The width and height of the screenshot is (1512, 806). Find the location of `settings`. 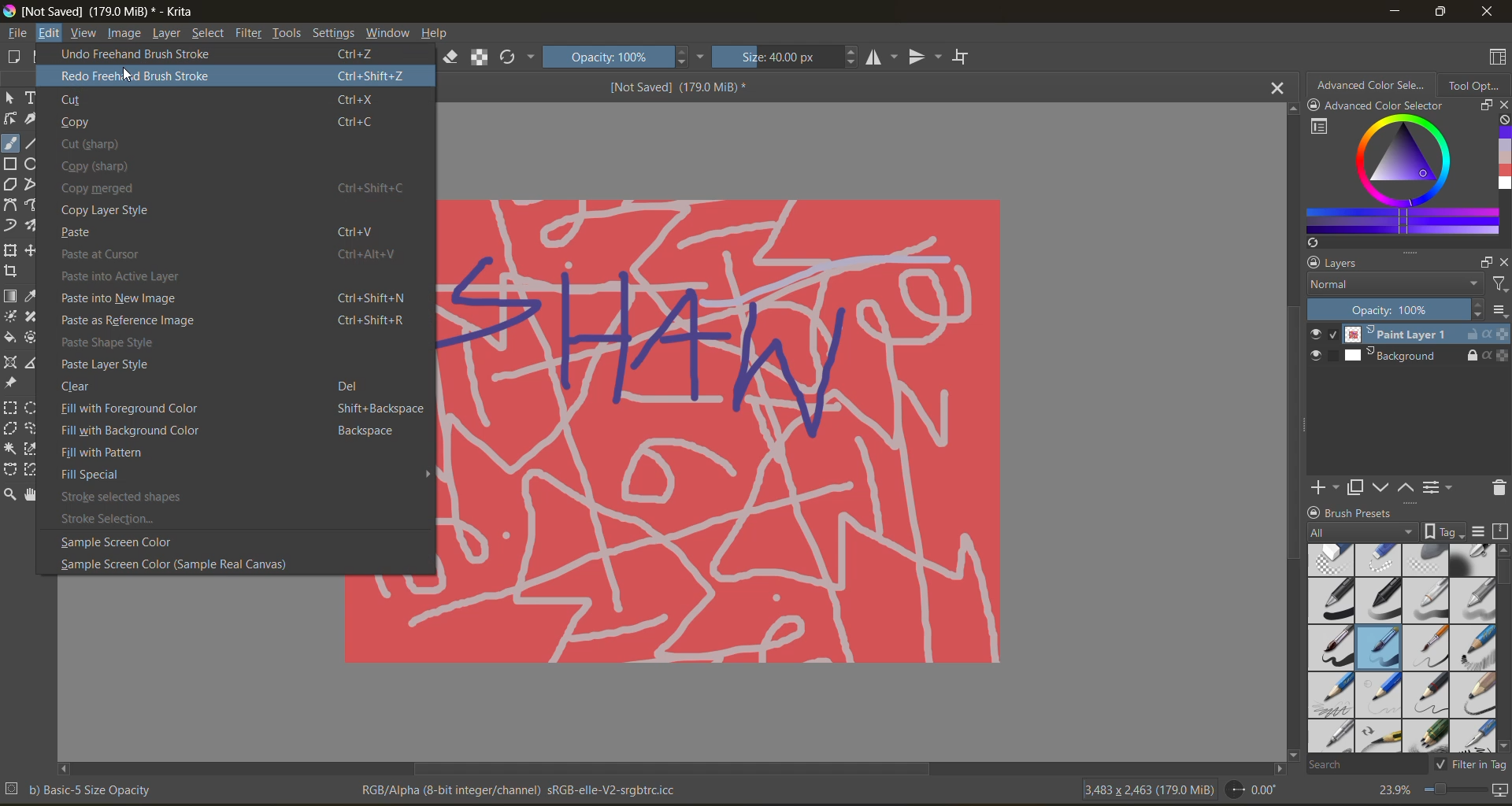

settings is located at coordinates (334, 33).